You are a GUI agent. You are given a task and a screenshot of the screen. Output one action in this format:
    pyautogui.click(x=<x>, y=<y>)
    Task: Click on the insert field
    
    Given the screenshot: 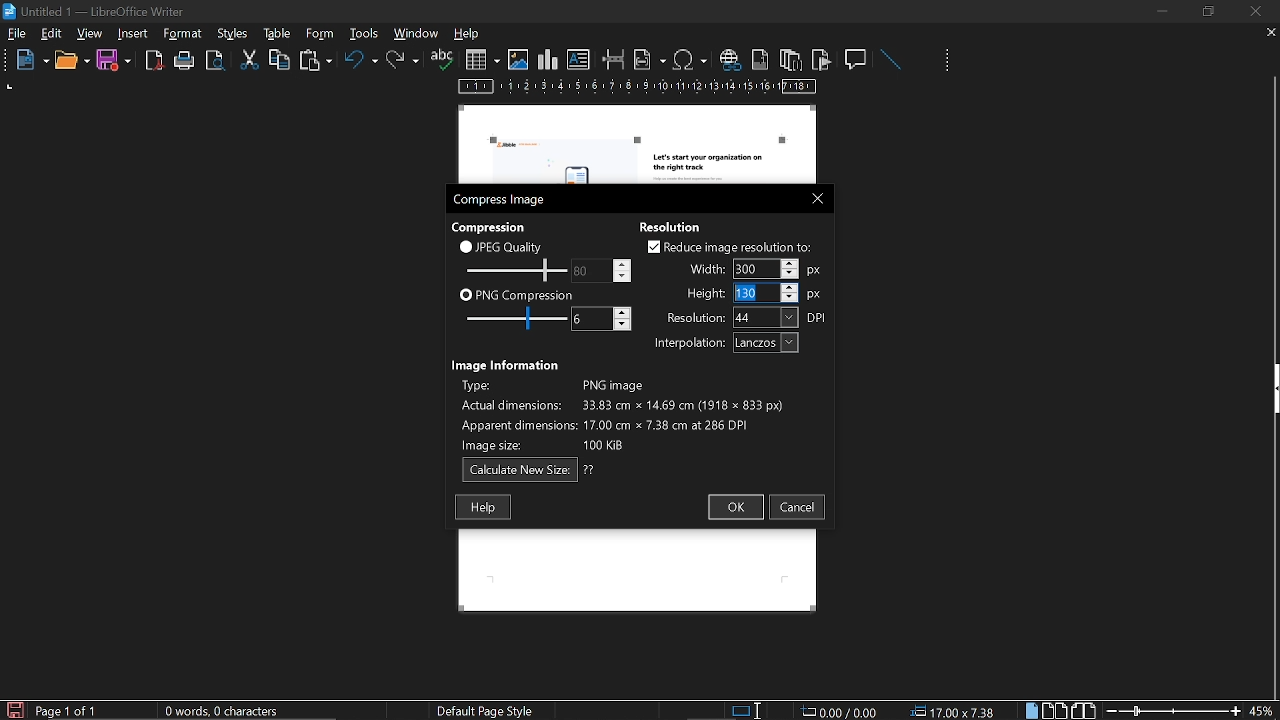 What is the action you would take?
    pyautogui.click(x=650, y=59)
    